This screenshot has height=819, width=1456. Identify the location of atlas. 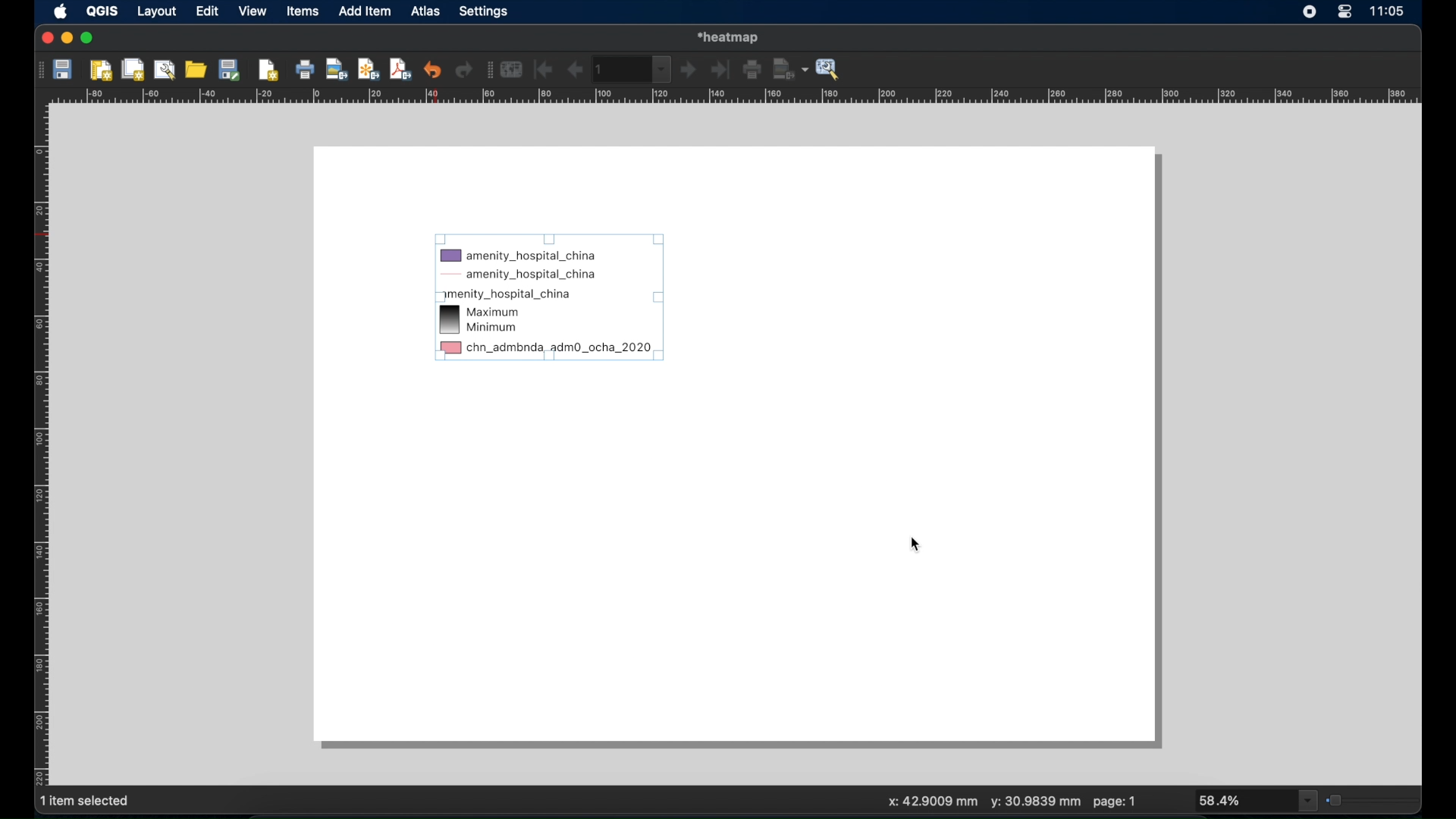
(428, 13).